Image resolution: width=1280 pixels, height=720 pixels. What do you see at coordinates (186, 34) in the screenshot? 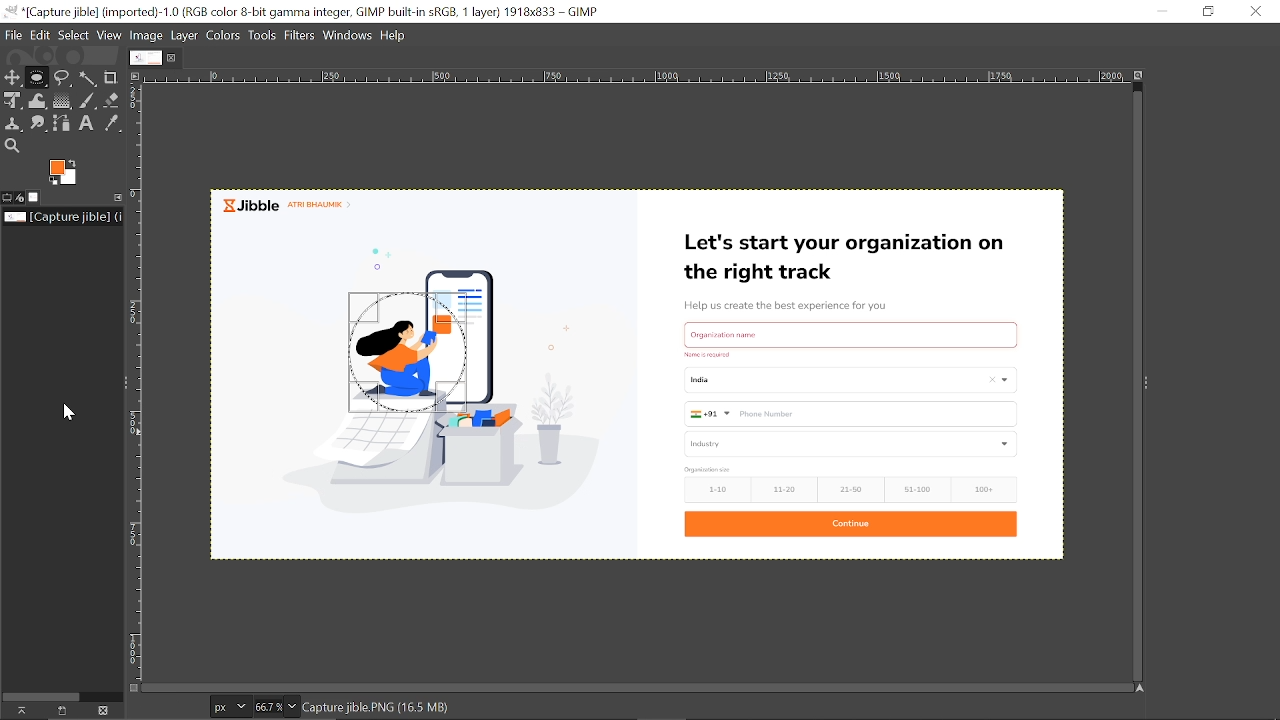
I see `layer` at bounding box center [186, 34].